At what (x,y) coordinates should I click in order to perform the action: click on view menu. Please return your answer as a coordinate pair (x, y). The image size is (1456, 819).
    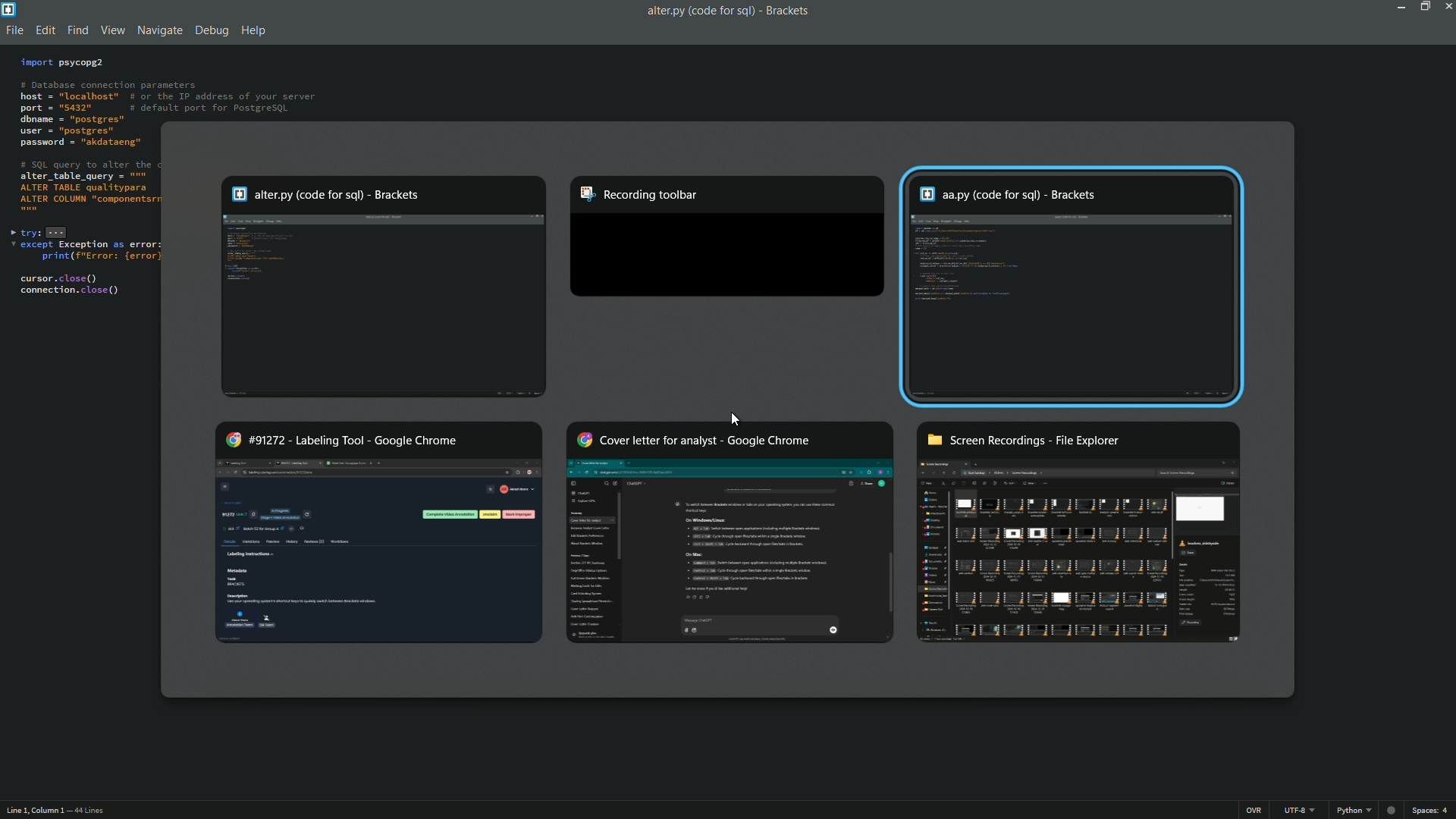
    Looking at the image, I should click on (108, 31).